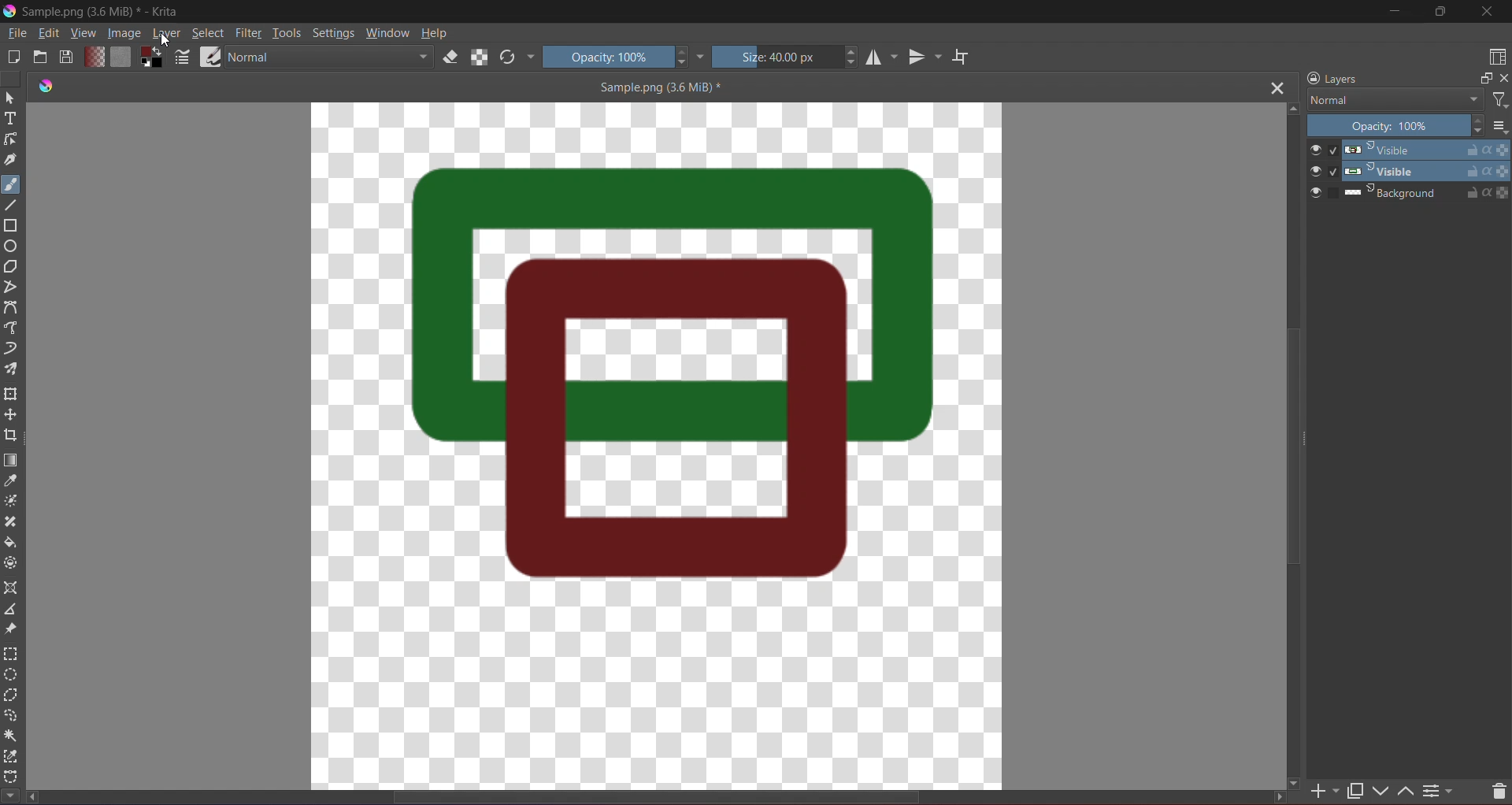 This screenshot has width=1512, height=805. I want to click on Scroll left, so click(35, 798).